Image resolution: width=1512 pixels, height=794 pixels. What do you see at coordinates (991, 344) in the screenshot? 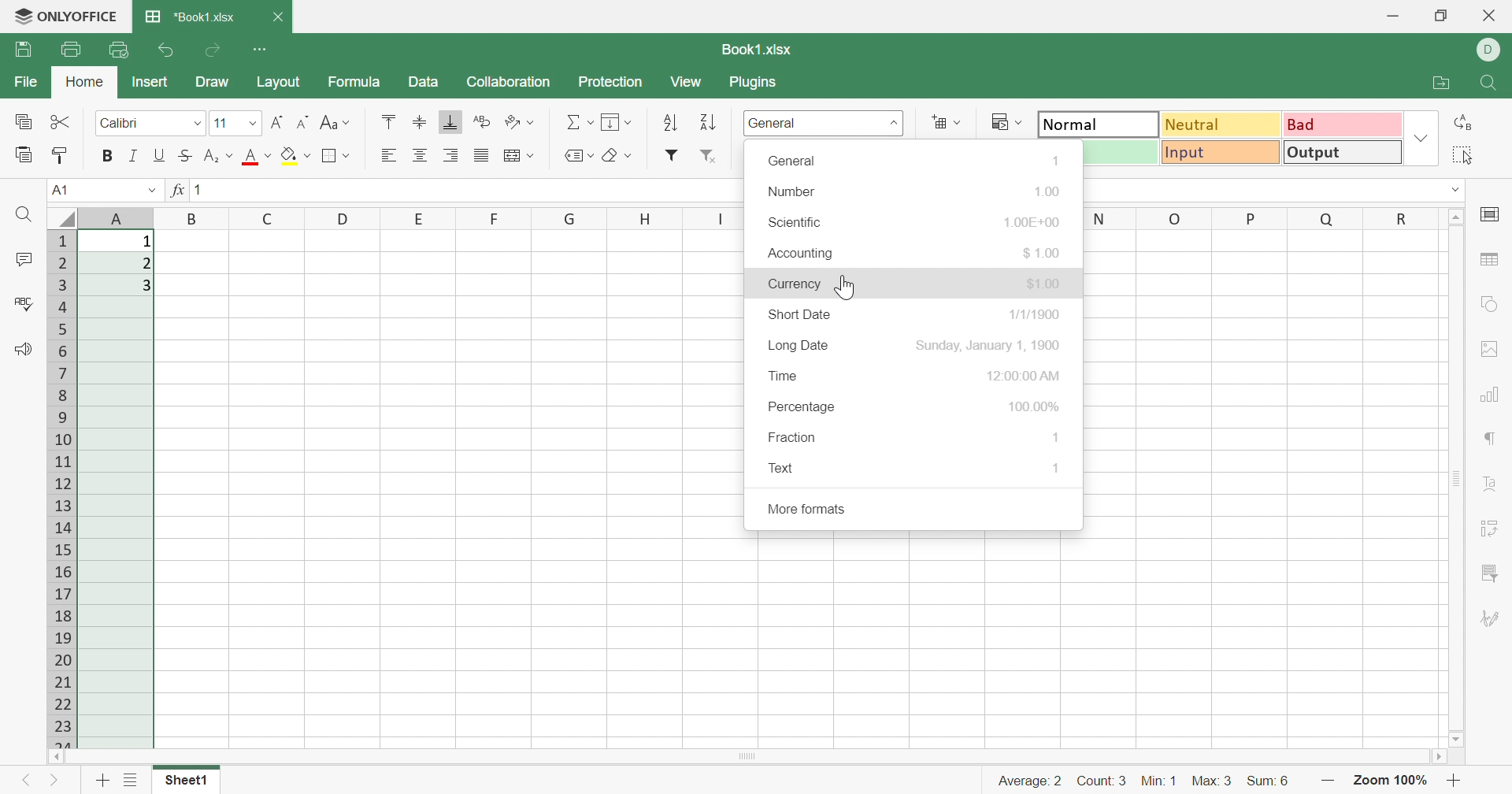
I see `Sunday, January 1, 1900` at bounding box center [991, 344].